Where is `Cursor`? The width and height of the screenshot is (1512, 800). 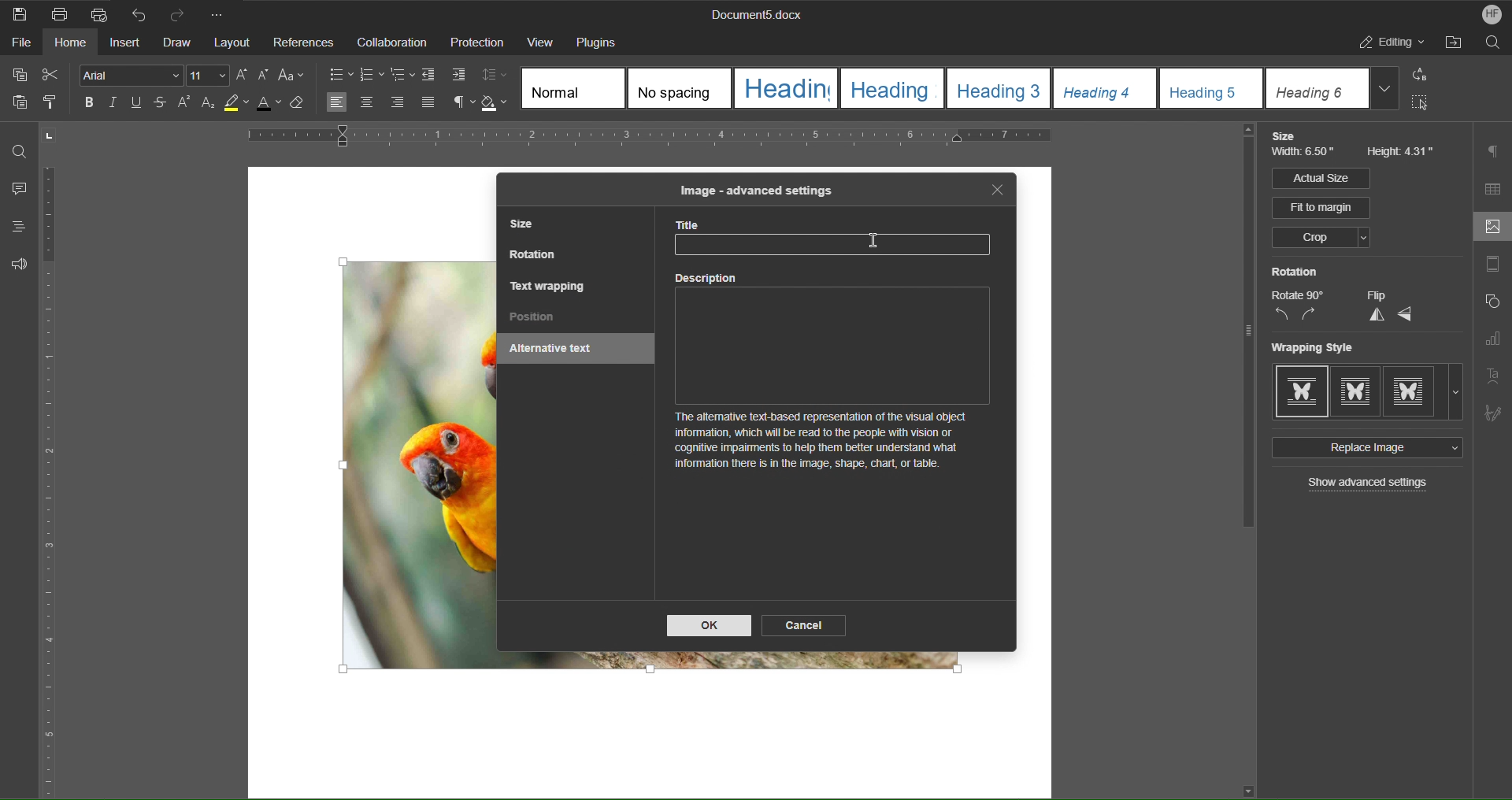
Cursor is located at coordinates (875, 241).